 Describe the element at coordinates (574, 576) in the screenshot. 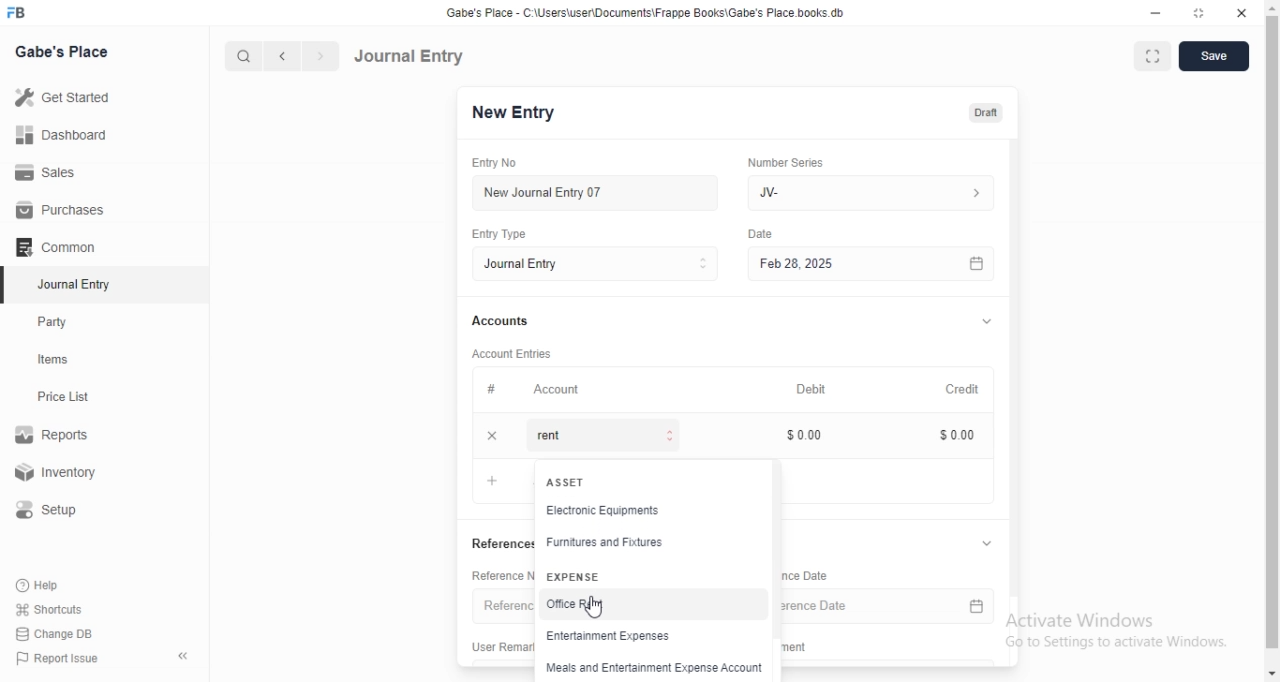

I see `EXPENSE` at that location.